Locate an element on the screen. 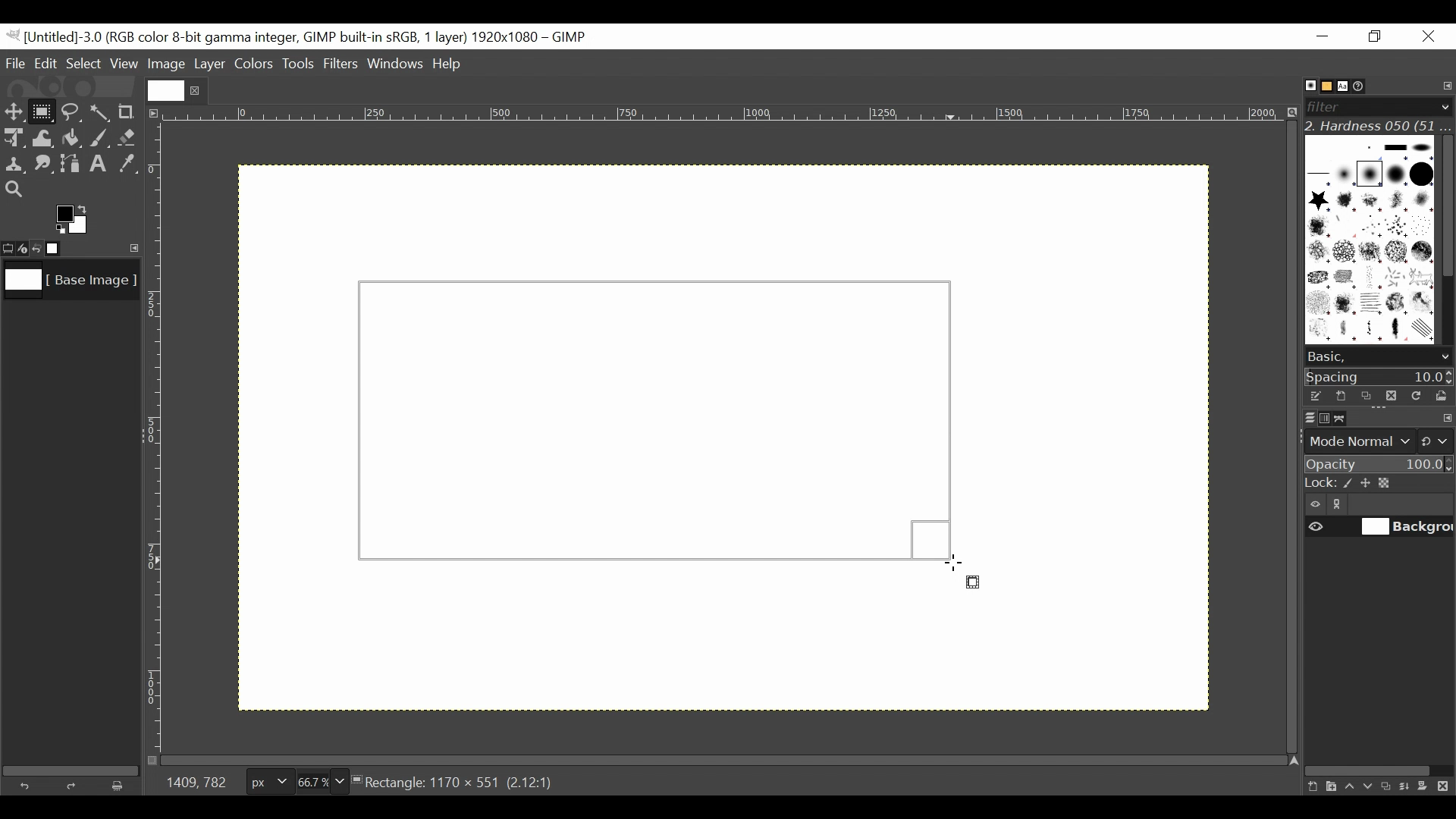 This screenshot has width=1456, height=819. Refresh is located at coordinates (1414, 394).